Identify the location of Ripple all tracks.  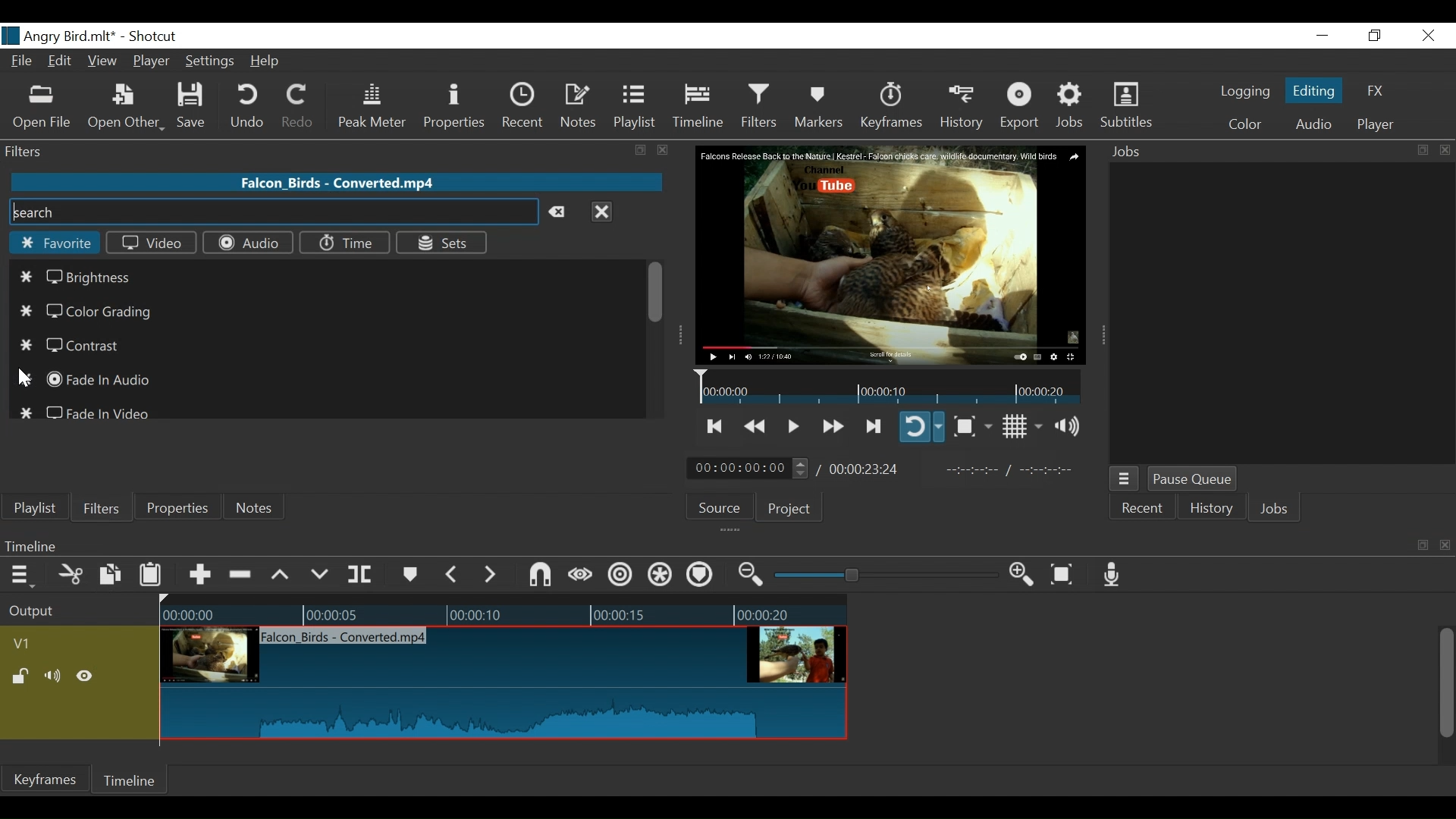
(699, 576).